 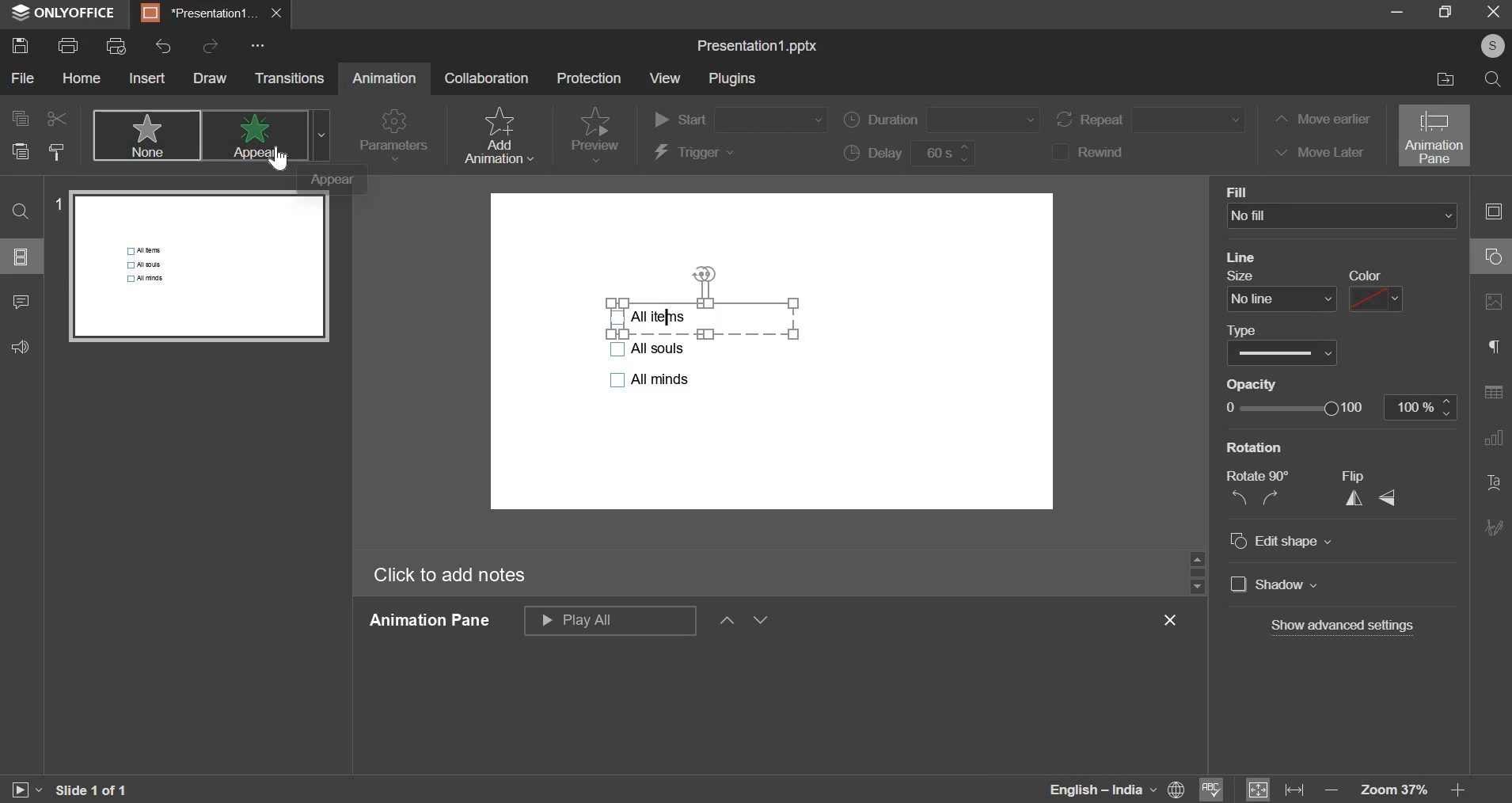 What do you see at coordinates (739, 120) in the screenshot?
I see `start order` at bounding box center [739, 120].